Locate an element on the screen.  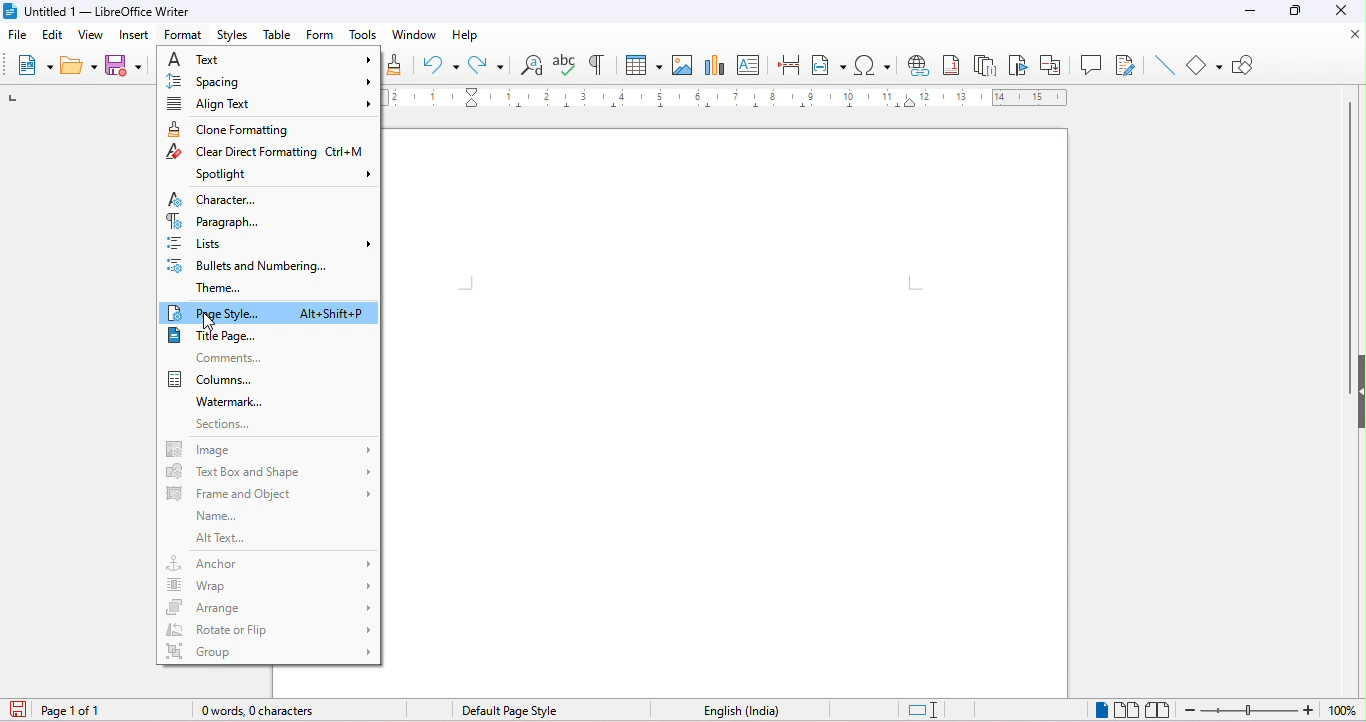
styles is located at coordinates (236, 37).